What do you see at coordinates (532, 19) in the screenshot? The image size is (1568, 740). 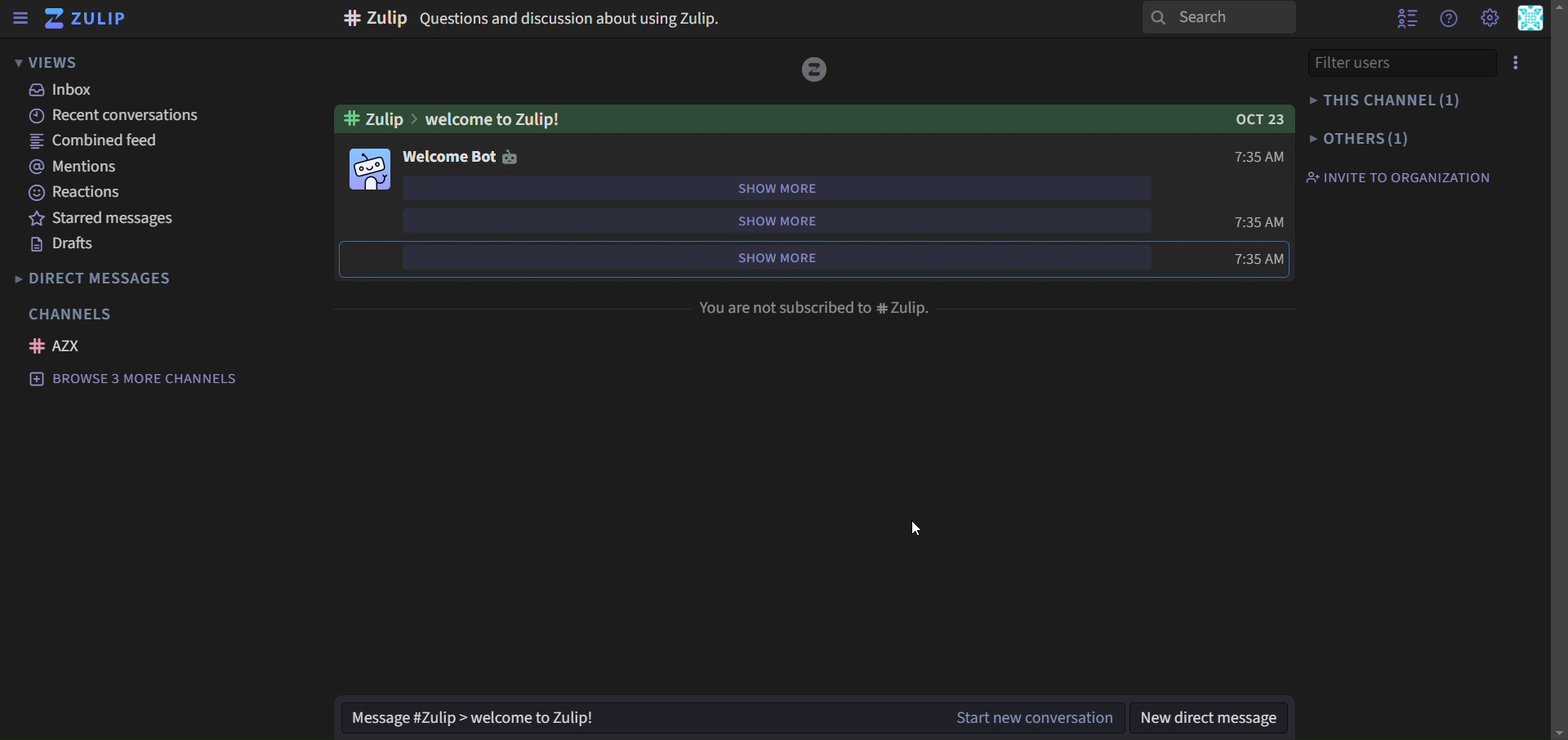 I see `Question and discussion about using Zulip.` at bounding box center [532, 19].